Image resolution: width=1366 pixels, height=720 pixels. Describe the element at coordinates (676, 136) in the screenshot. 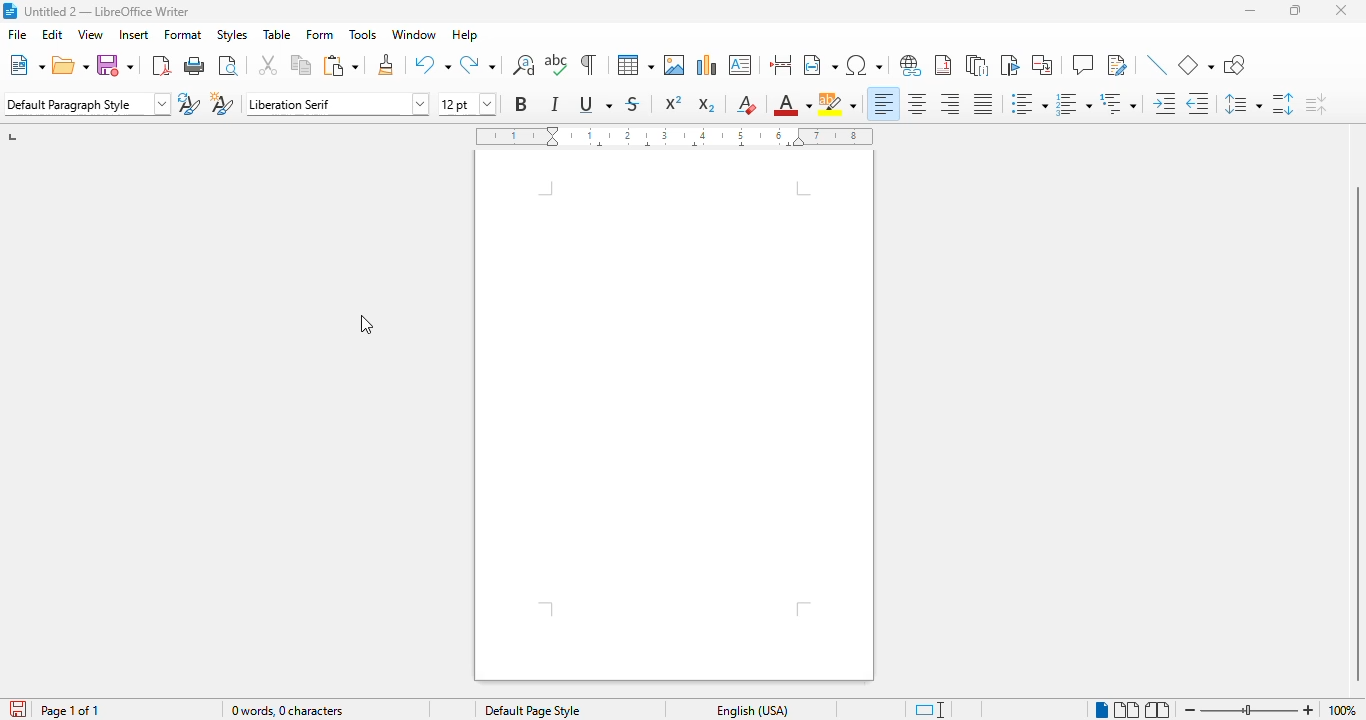

I see `ruler` at that location.